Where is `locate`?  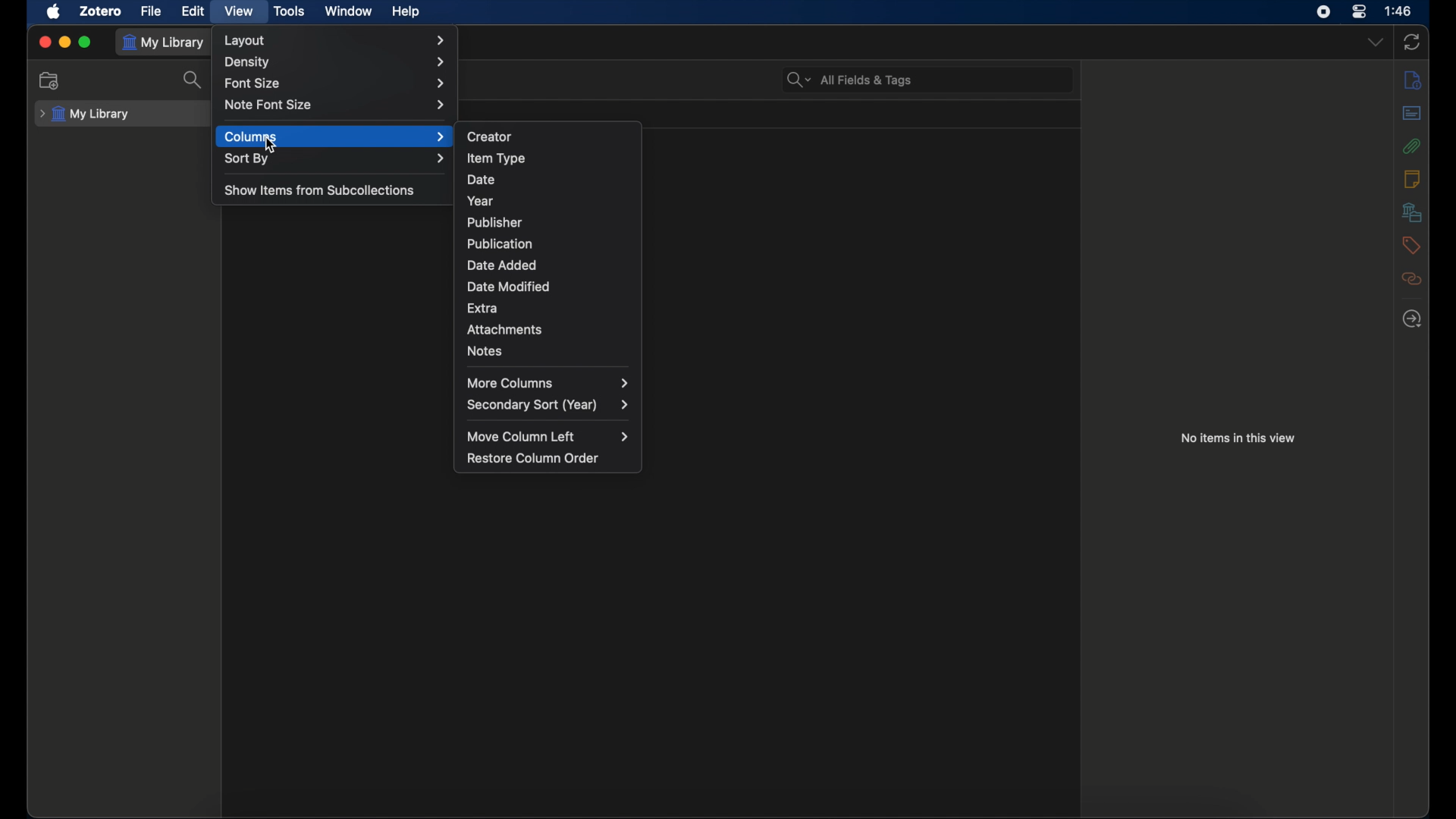
locate is located at coordinates (1411, 319).